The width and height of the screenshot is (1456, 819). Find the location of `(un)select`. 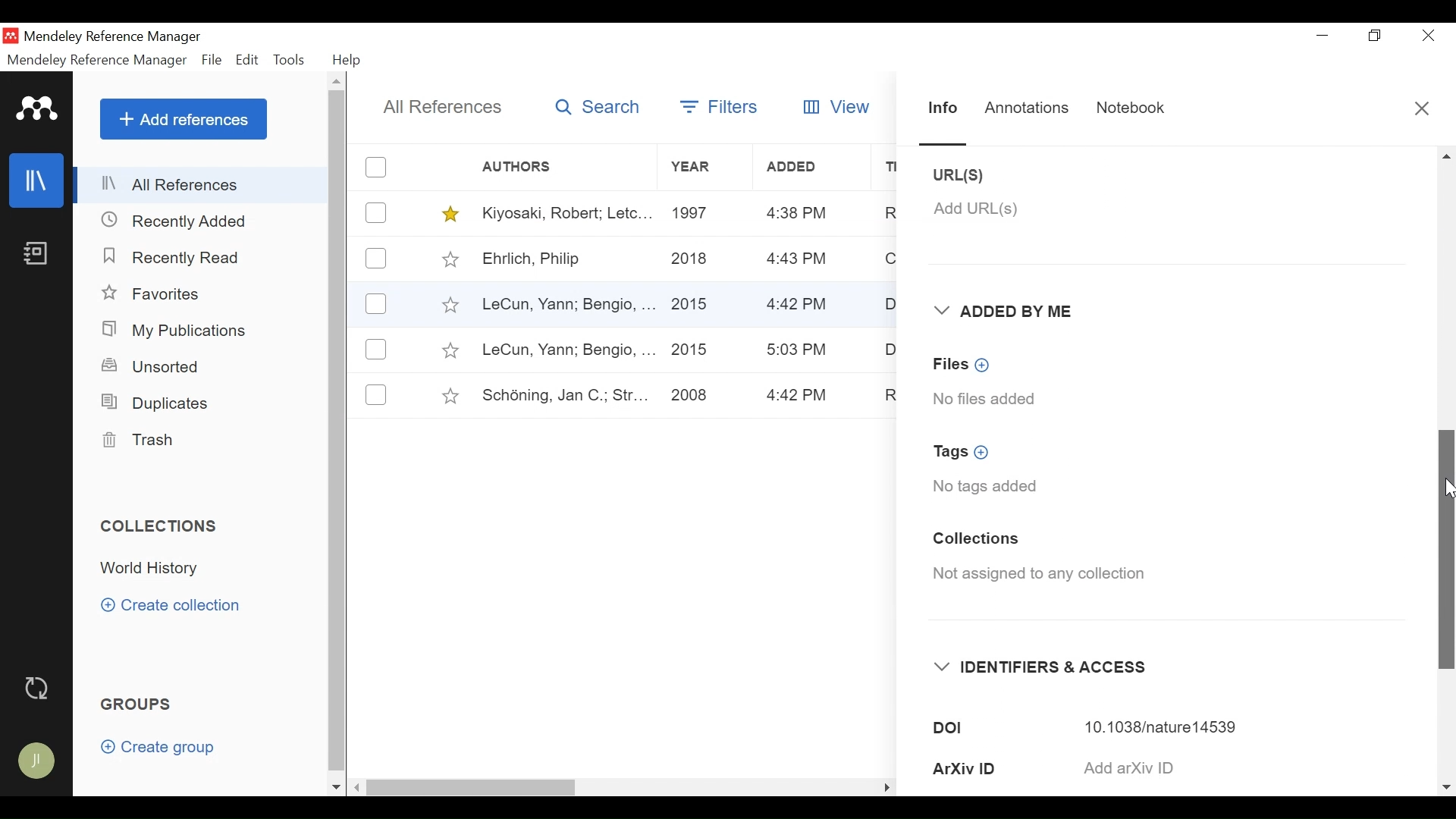

(un)select is located at coordinates (375, 258).